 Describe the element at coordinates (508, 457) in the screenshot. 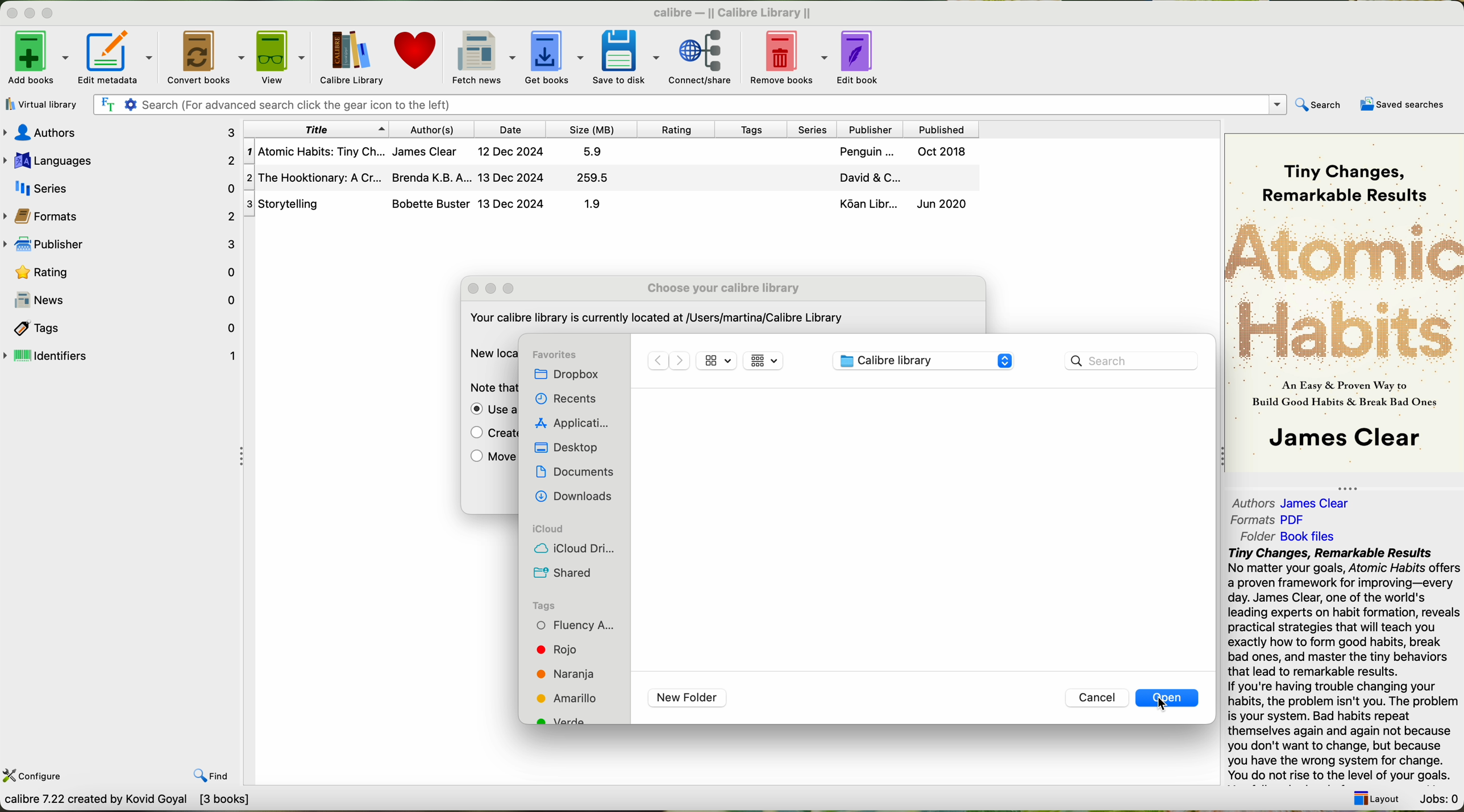

I see `move the current library to new location` at that location.